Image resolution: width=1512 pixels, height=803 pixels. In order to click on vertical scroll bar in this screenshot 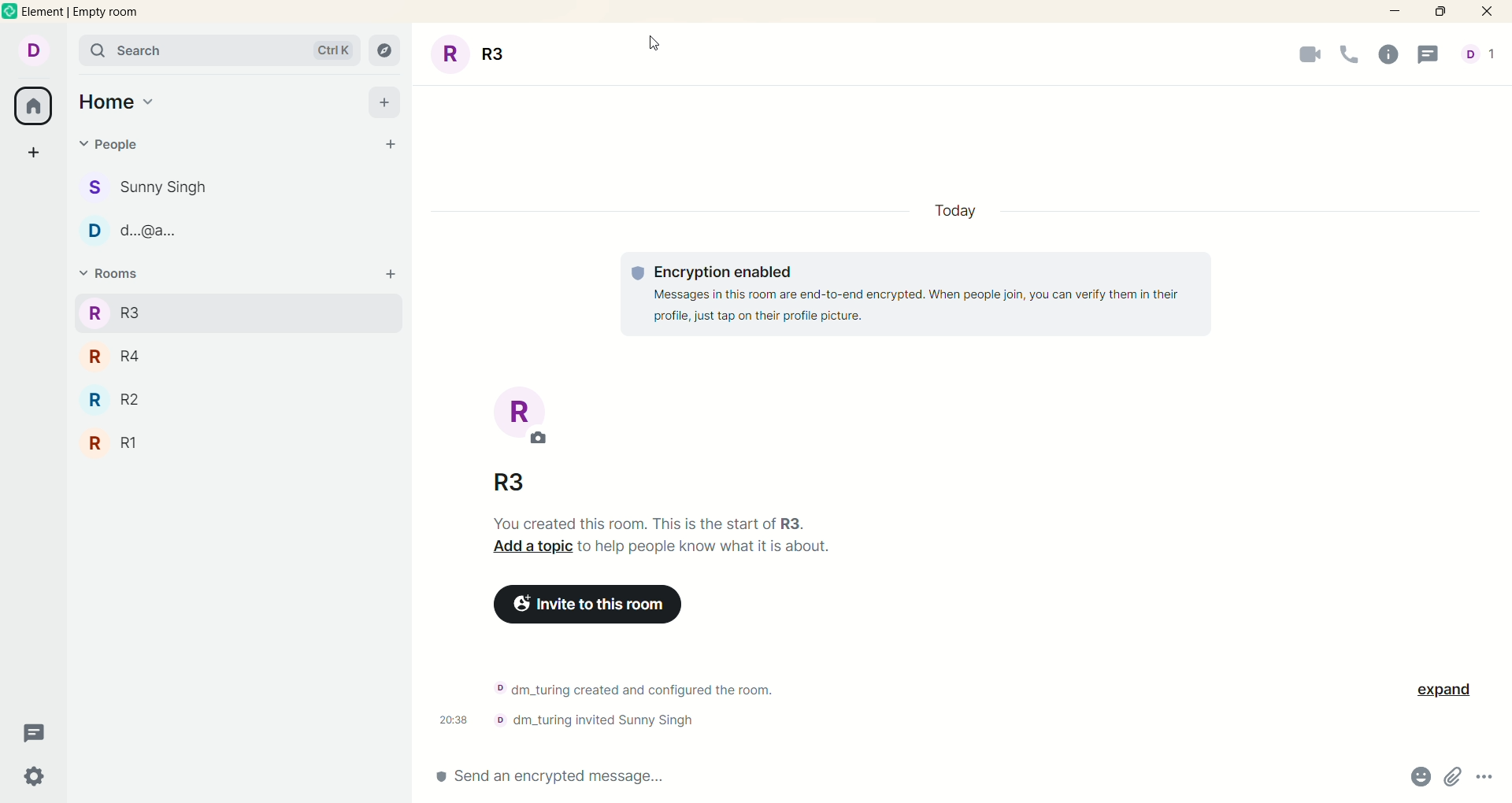, I will do `click(1503, 416)`.